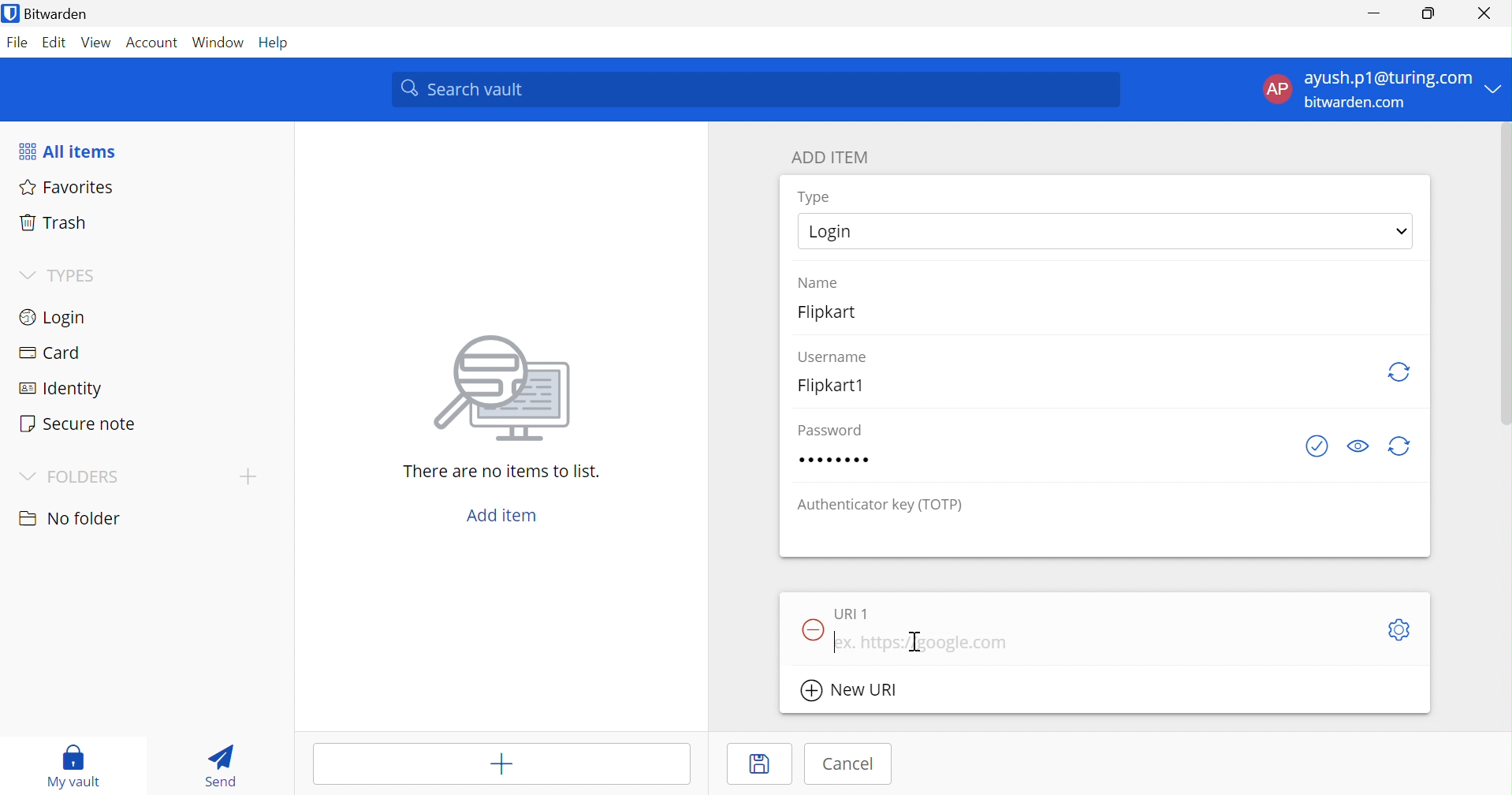 The height and width of the screenshot is (795, 1512). I want to click on Card, so click(53, 353).